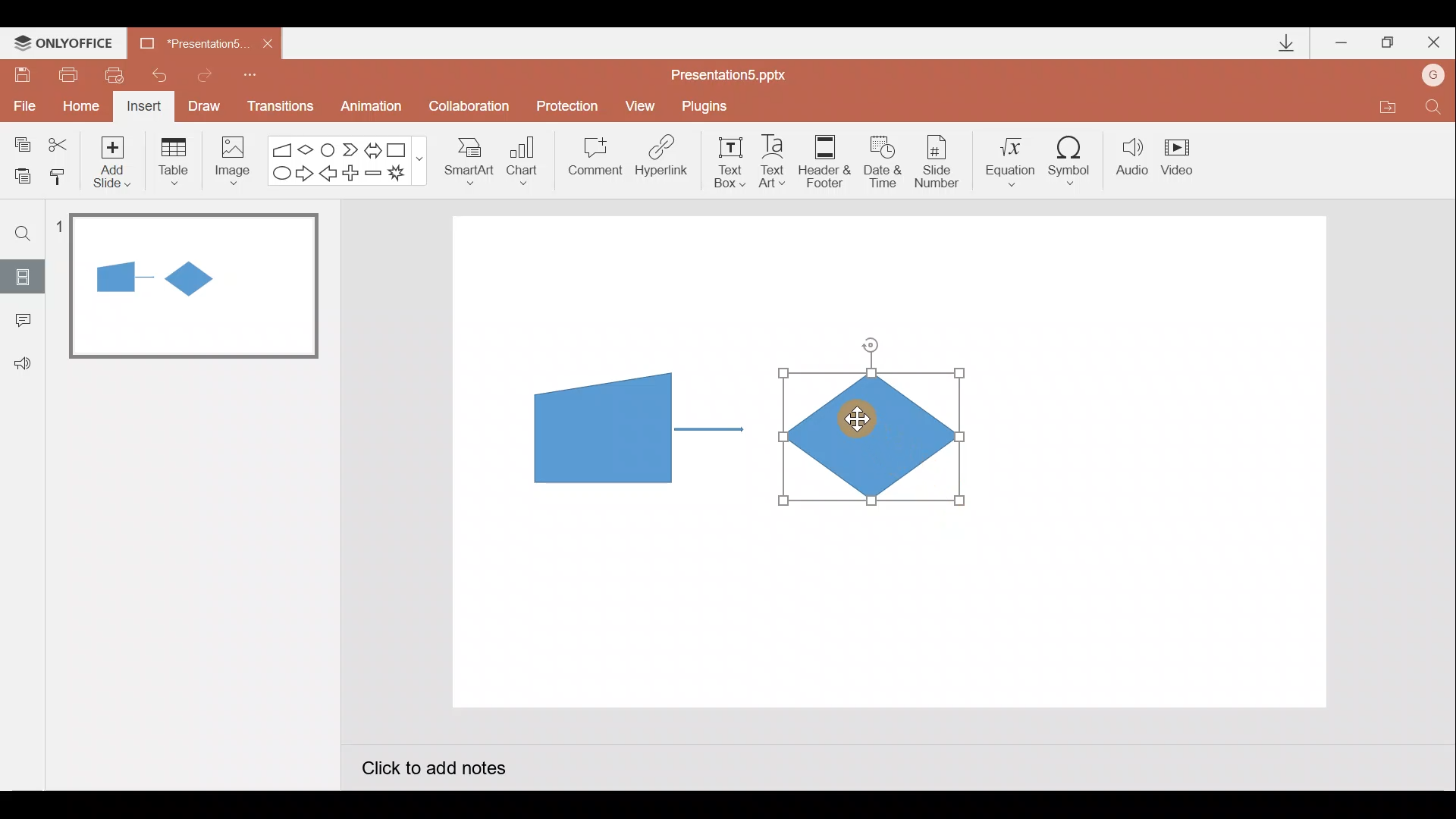 Image resolution: width=1456 pixels, height=819 pixels. Describe the element at coordinates (572, 105) in the screenshot. I see `Protection` at that location.